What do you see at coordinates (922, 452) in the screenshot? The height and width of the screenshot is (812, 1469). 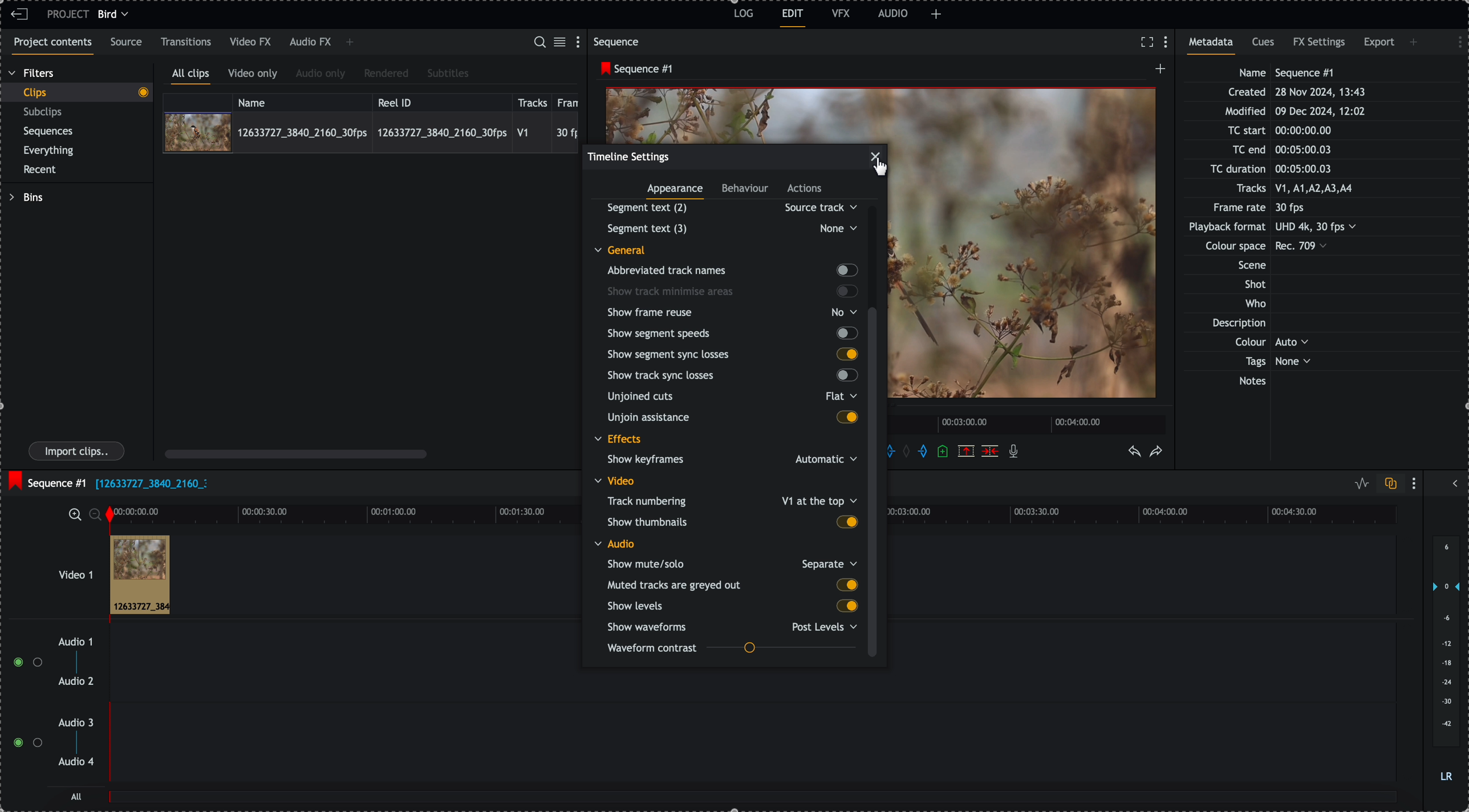 I see `add 'out' mark` at bounding box center [922, 452].